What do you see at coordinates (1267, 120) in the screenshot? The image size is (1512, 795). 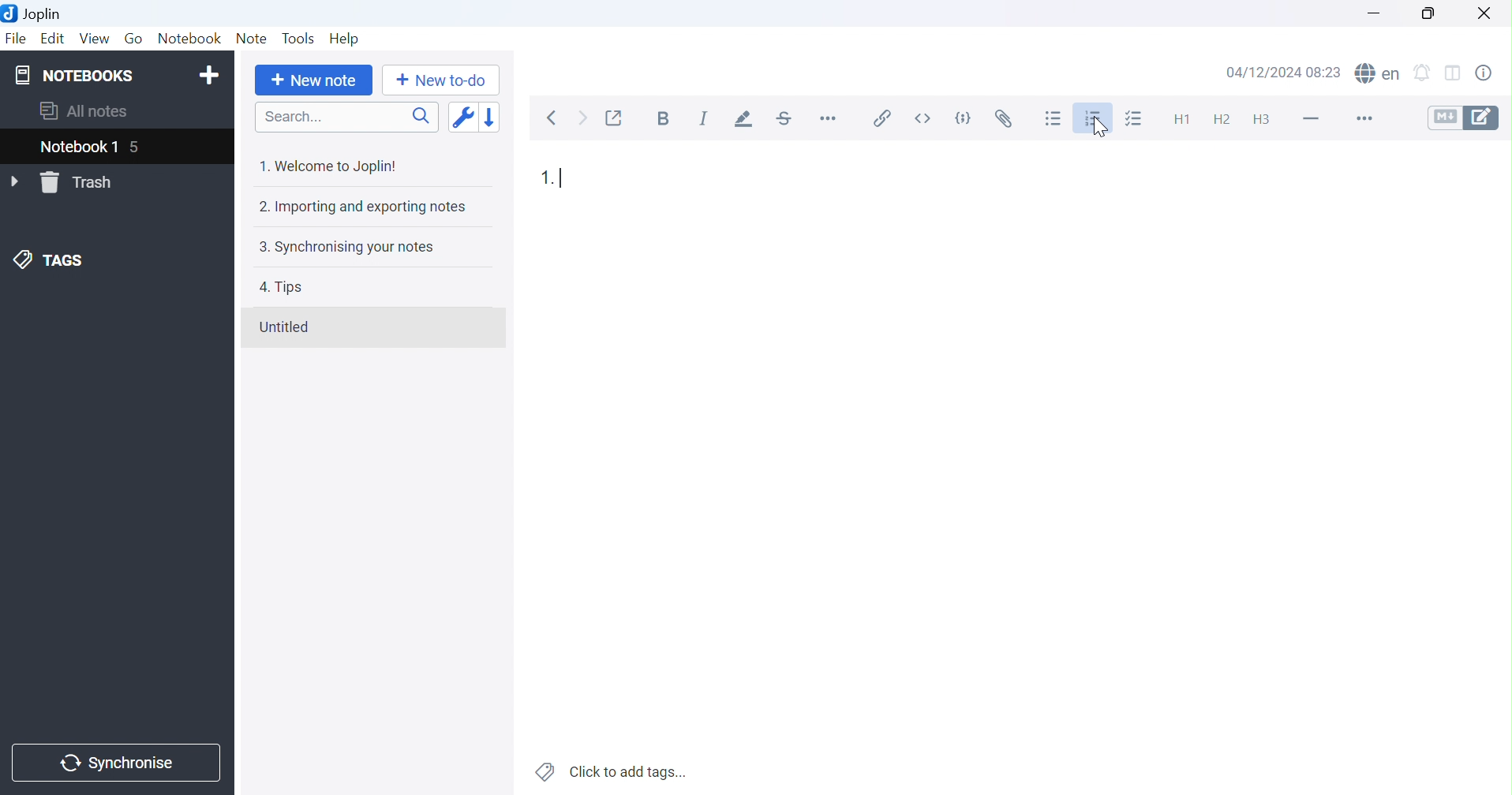 I see `Heading 3` at bounding box center [1267, 120].